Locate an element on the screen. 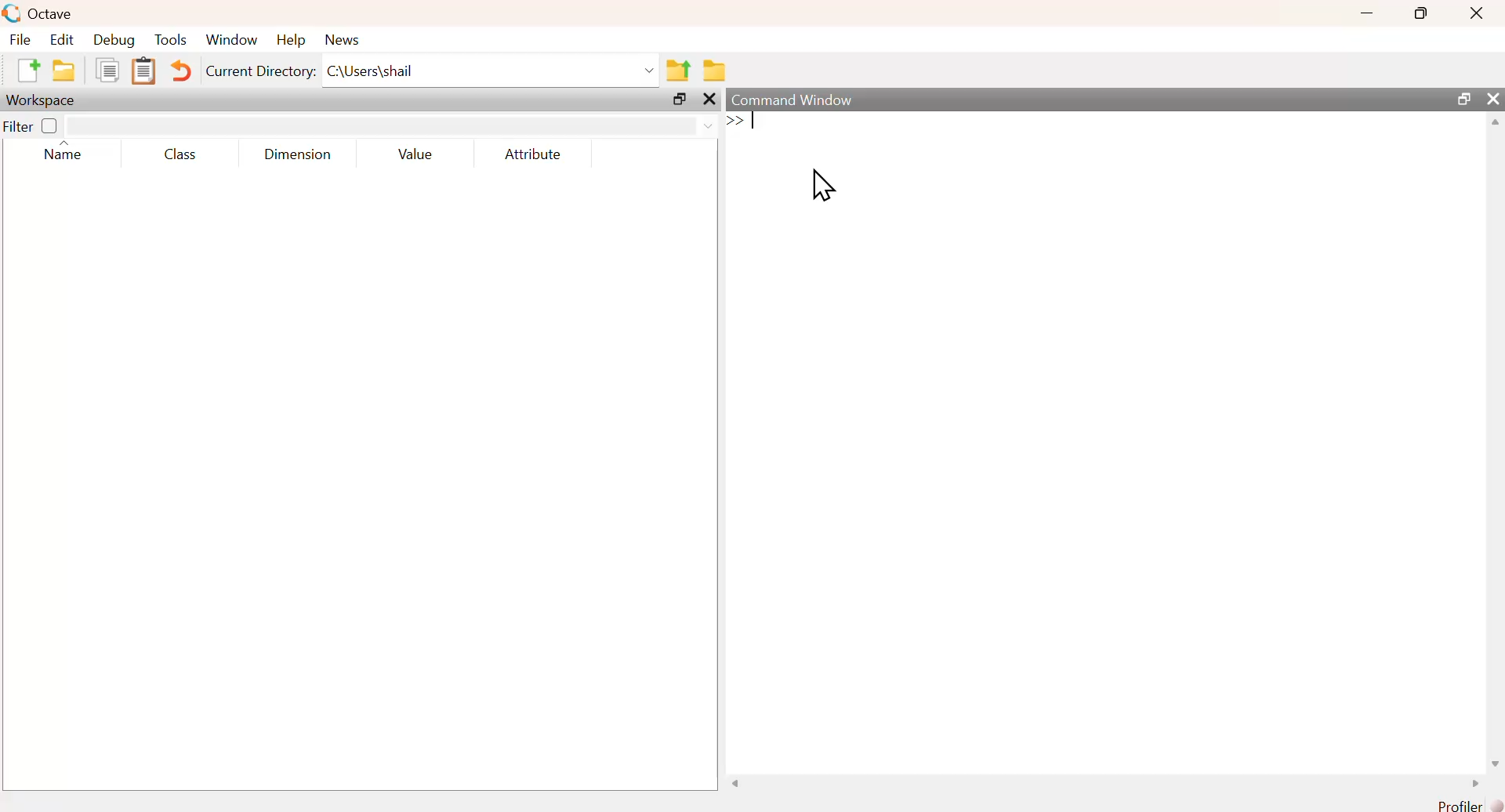 The width and height of the screenshot is (1505, 812). close is located at coordinates (709, 99).